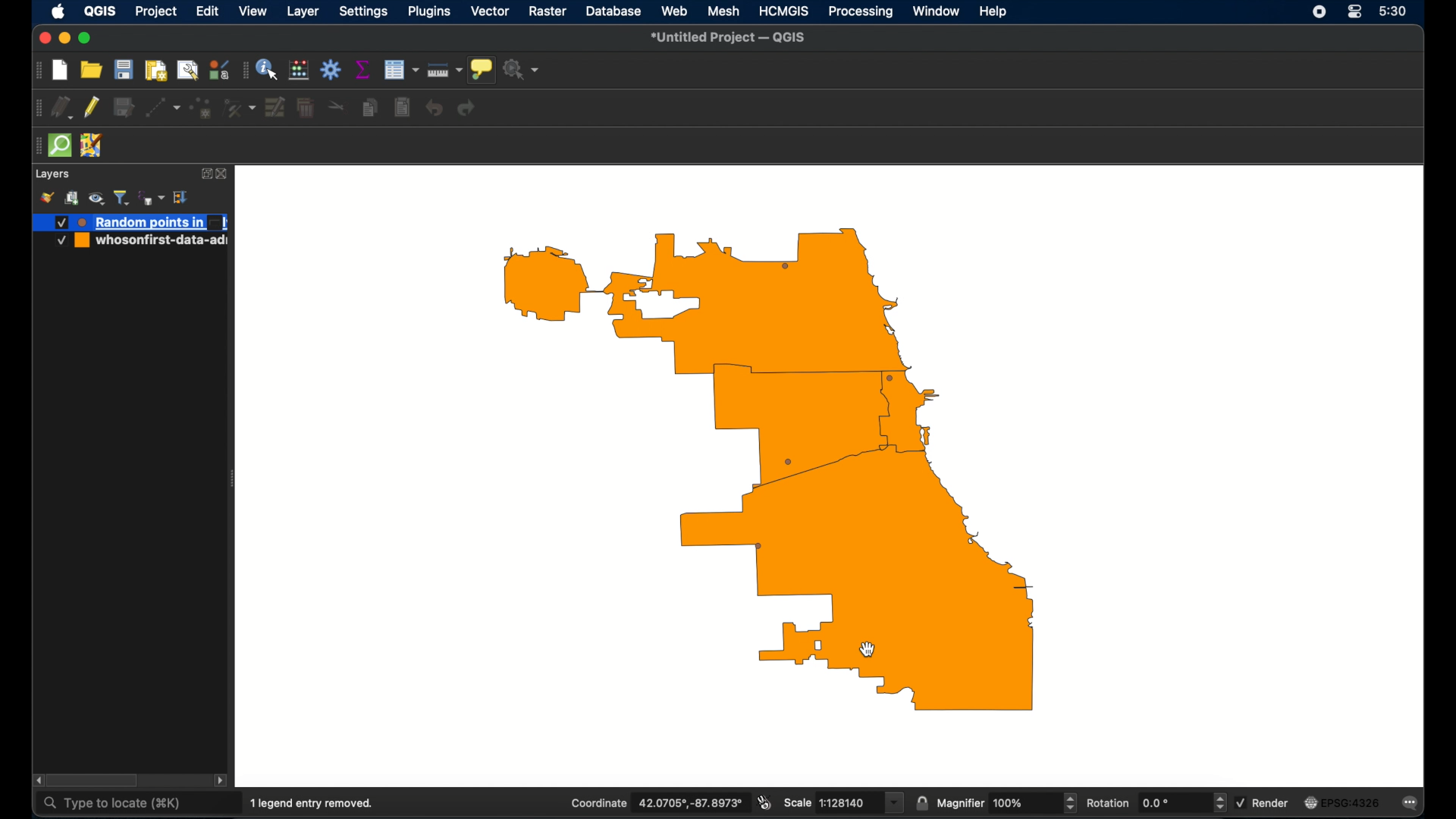  Describe the element at coordinates (239, 106) in the screenshot. I see `vertex tool` at that location.